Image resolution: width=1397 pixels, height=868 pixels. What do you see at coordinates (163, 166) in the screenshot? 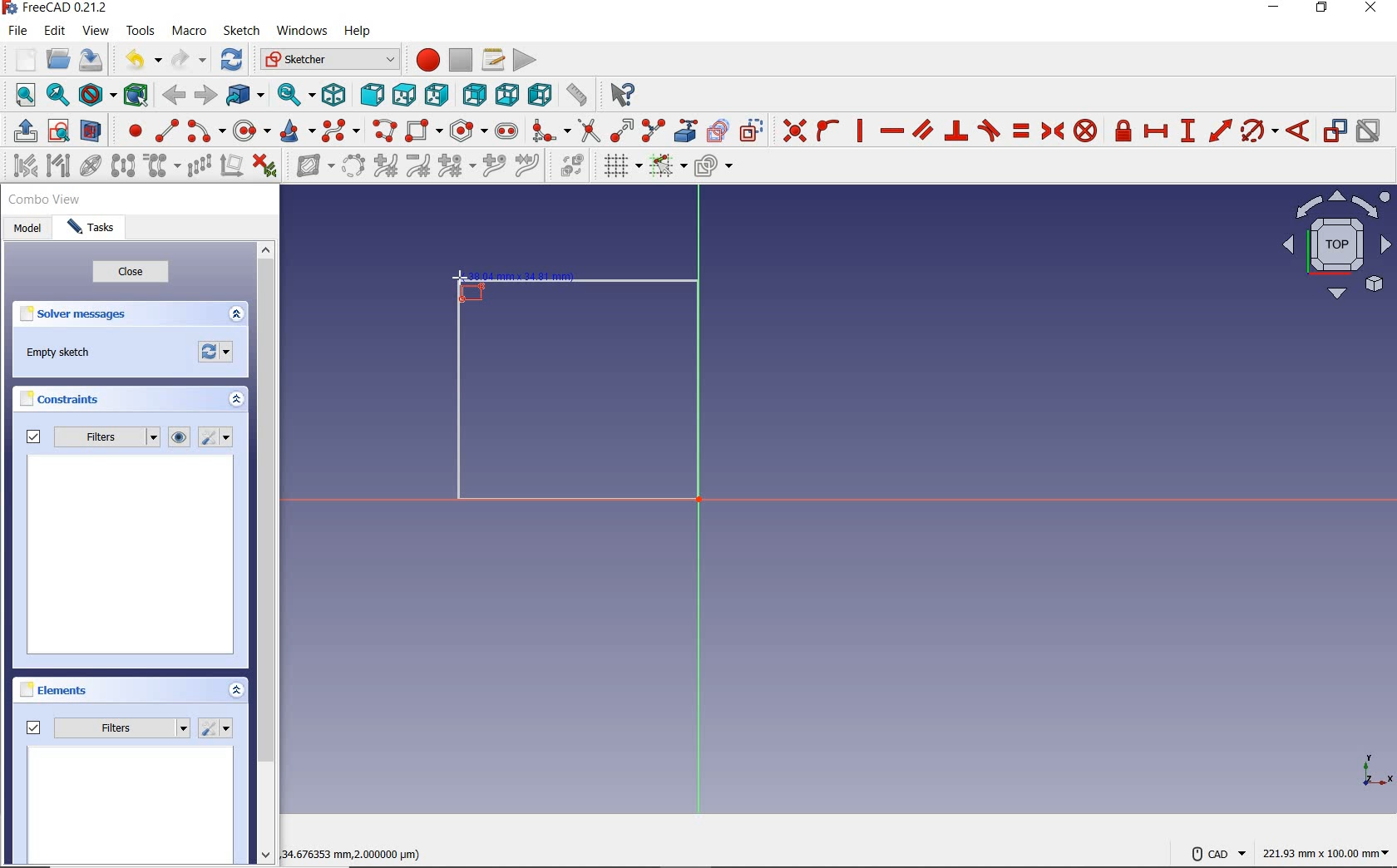
I see `clone` at bounding box center [163, 166].